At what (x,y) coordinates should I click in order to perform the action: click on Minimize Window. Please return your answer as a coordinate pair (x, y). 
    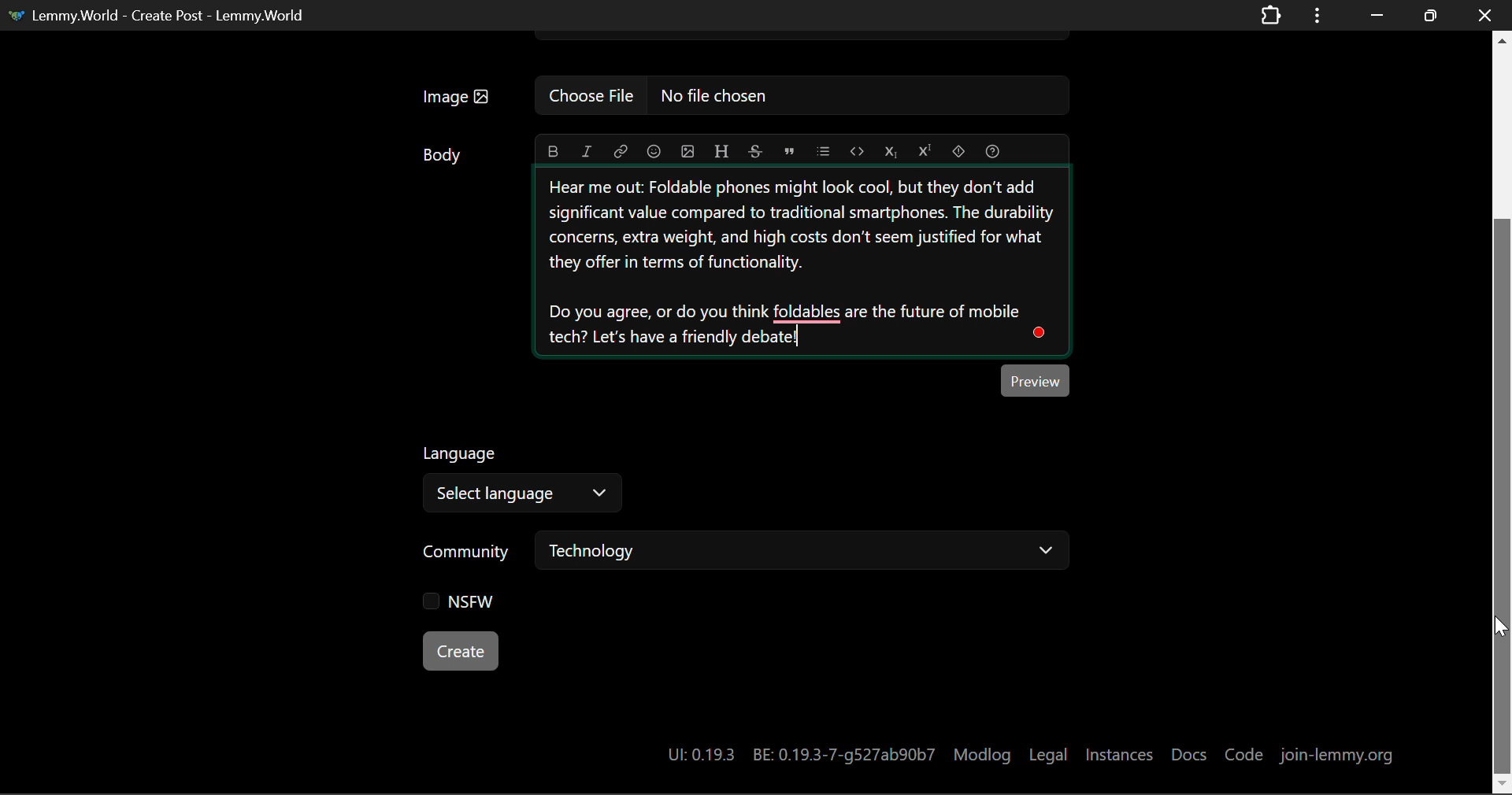
    Looking at the image, I should click on (1432, 15).